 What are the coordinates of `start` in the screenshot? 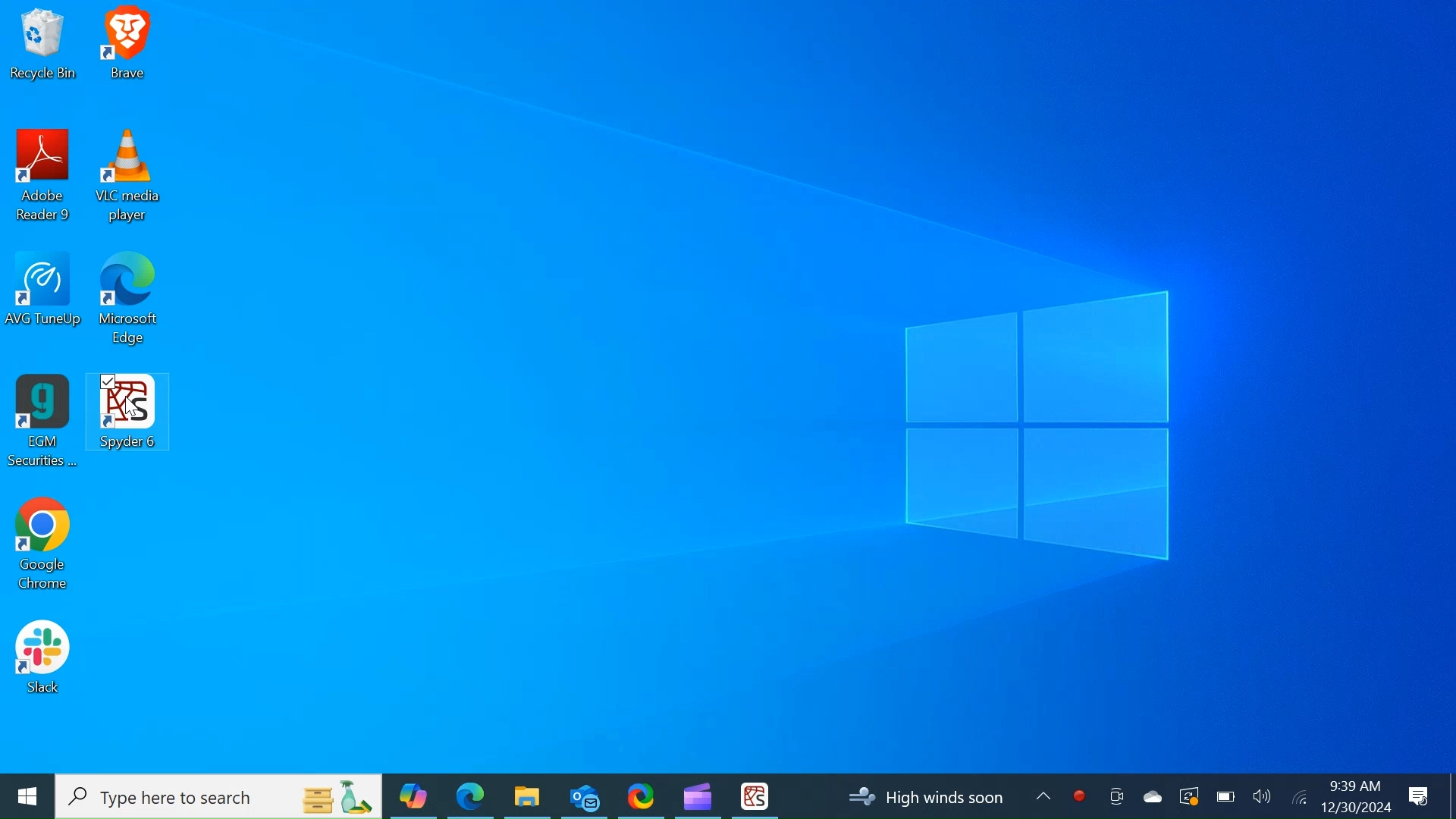 It's located at (26, 796).